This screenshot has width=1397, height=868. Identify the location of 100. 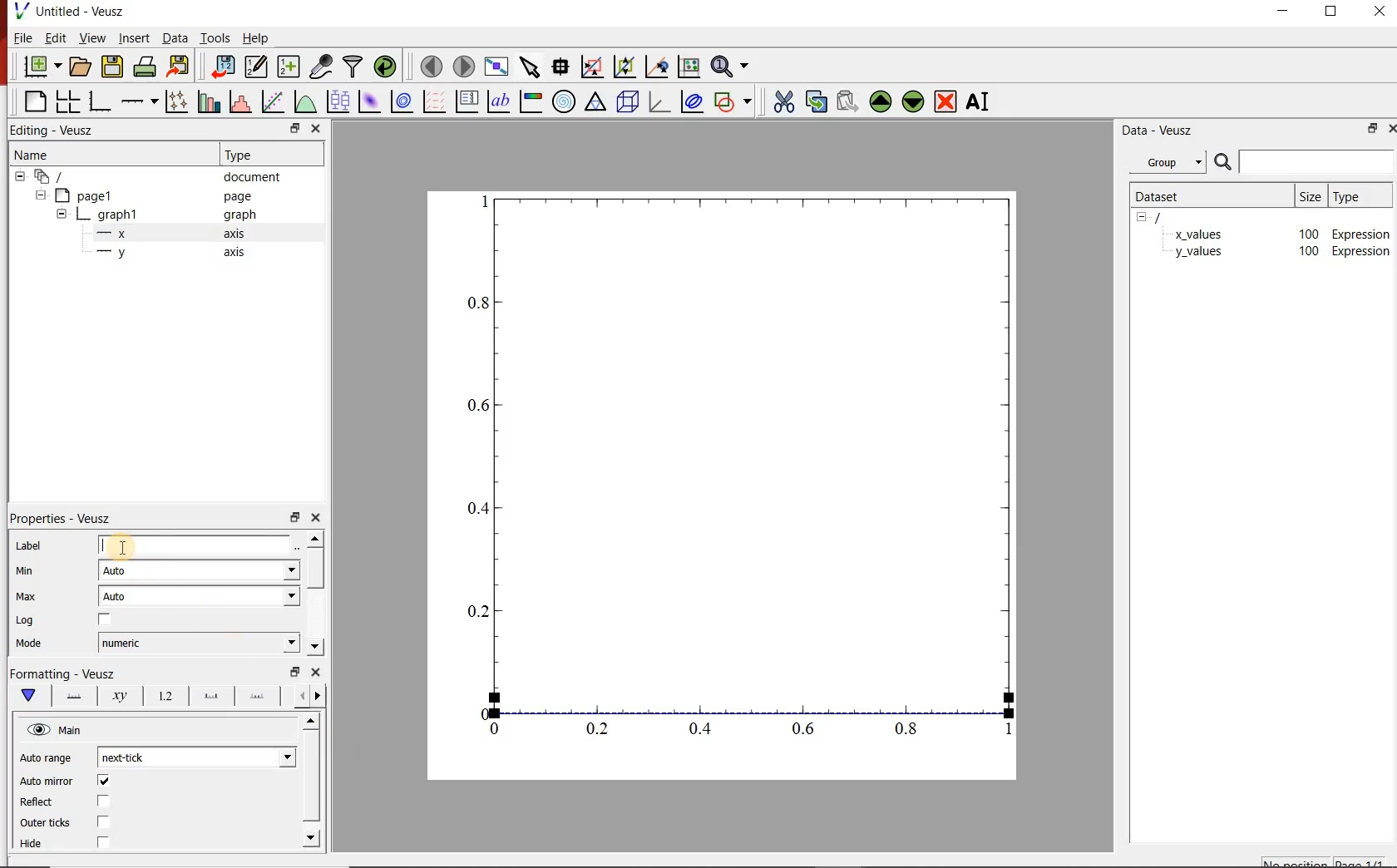
(1308, 233).